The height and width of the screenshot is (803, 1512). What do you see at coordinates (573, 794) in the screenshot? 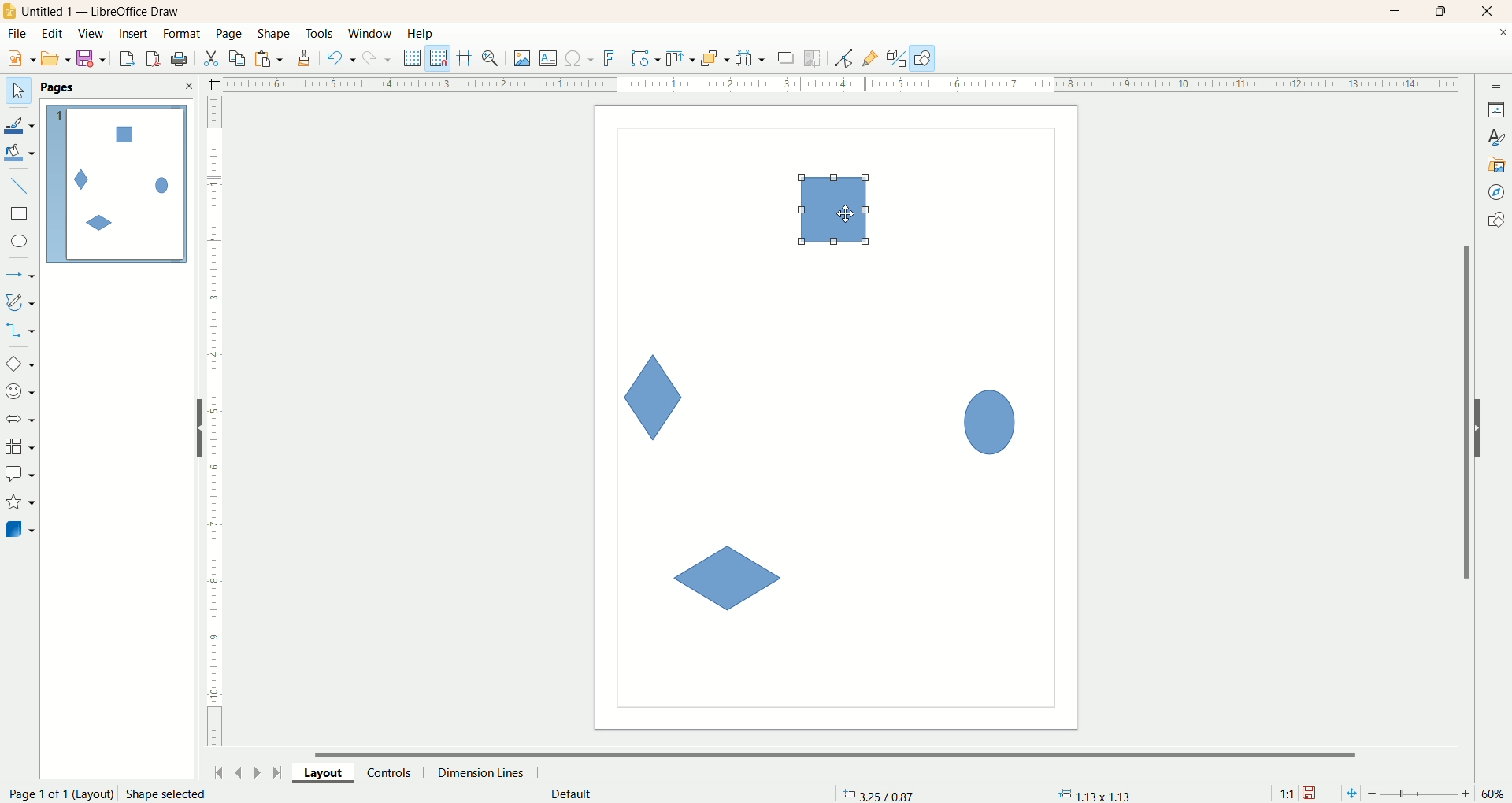
I see `default` at bounding box center [573, 794].